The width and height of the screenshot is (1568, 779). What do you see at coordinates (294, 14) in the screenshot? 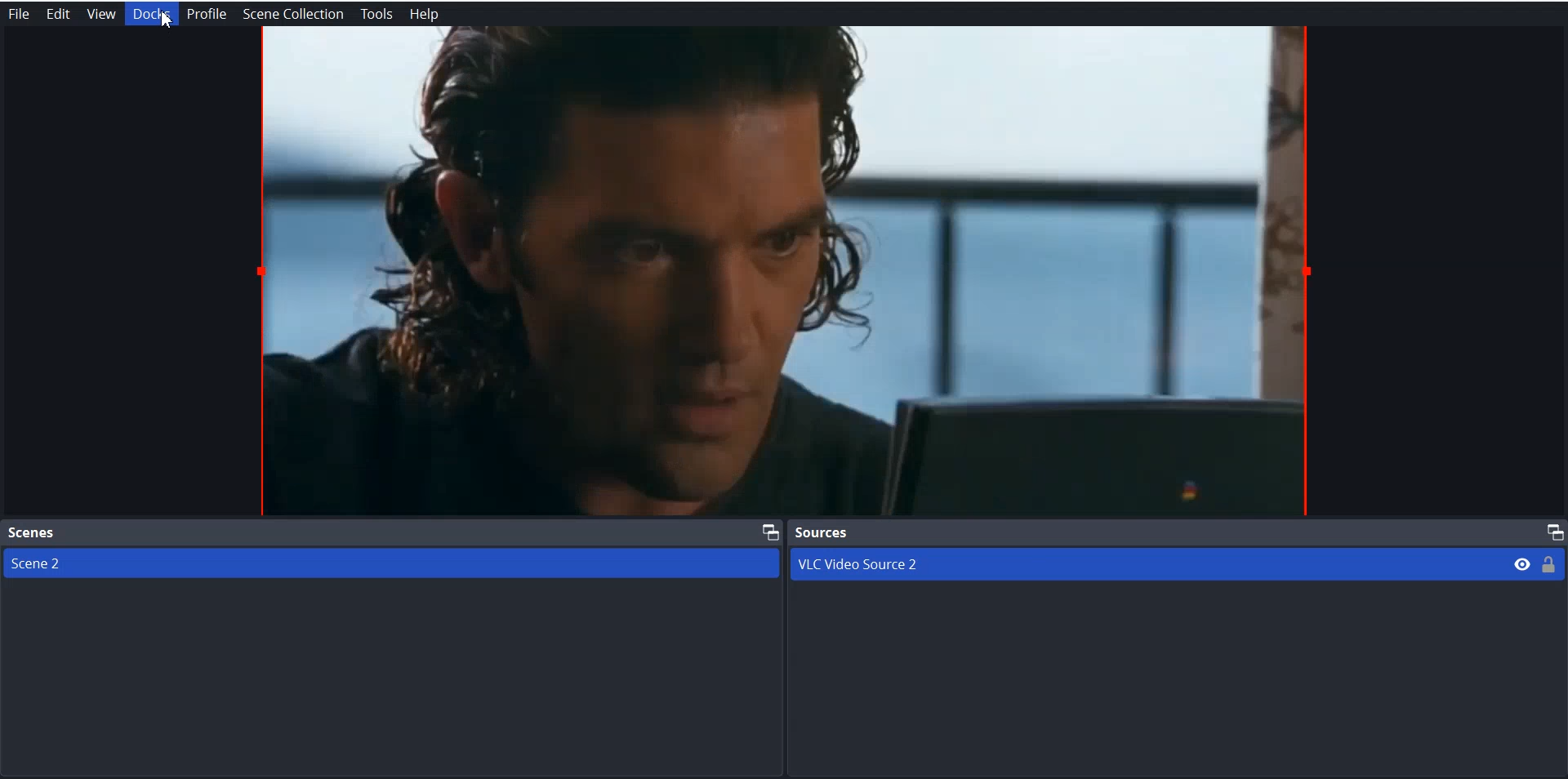
I see `Scene Collection` at bounding box center [294, 14].